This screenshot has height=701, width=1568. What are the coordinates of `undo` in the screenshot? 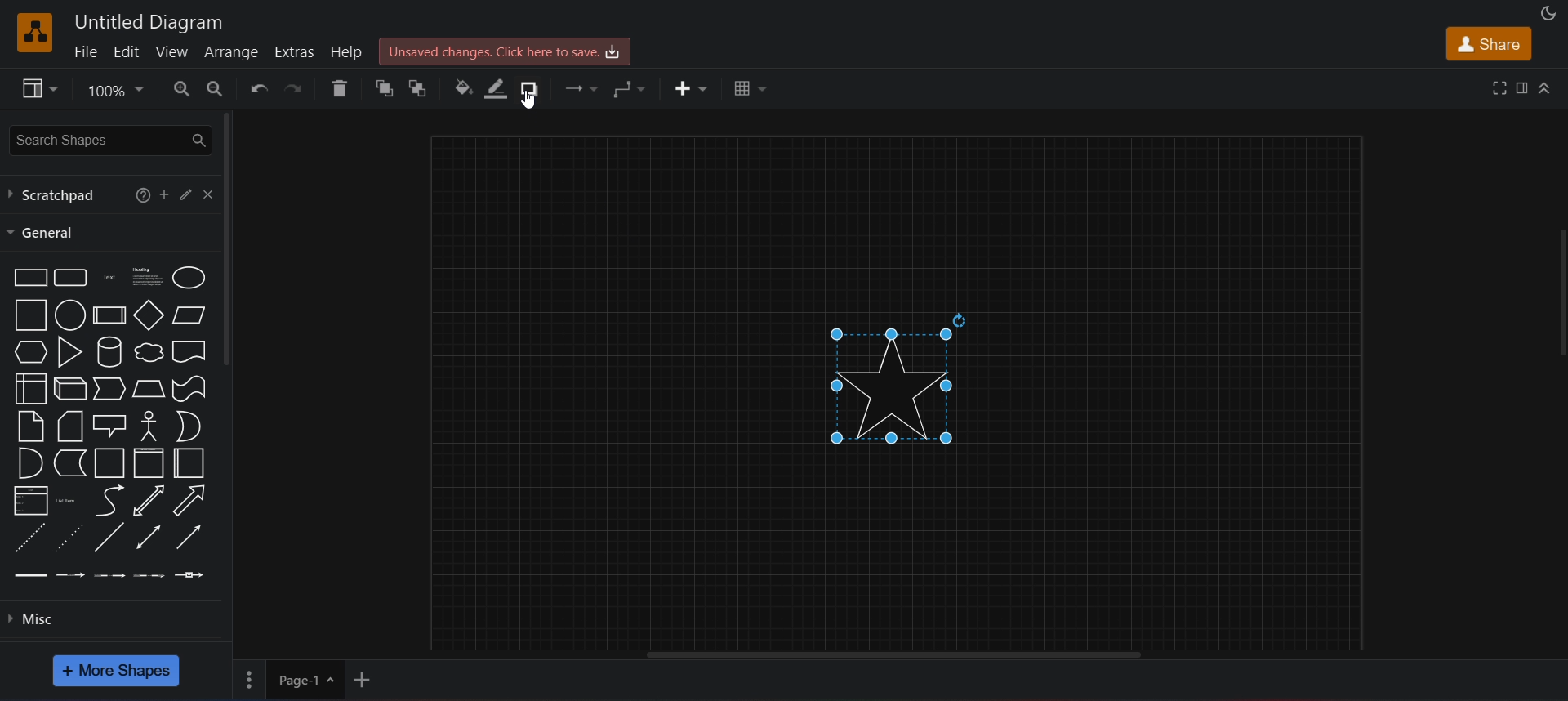 It's located at (252, 87).